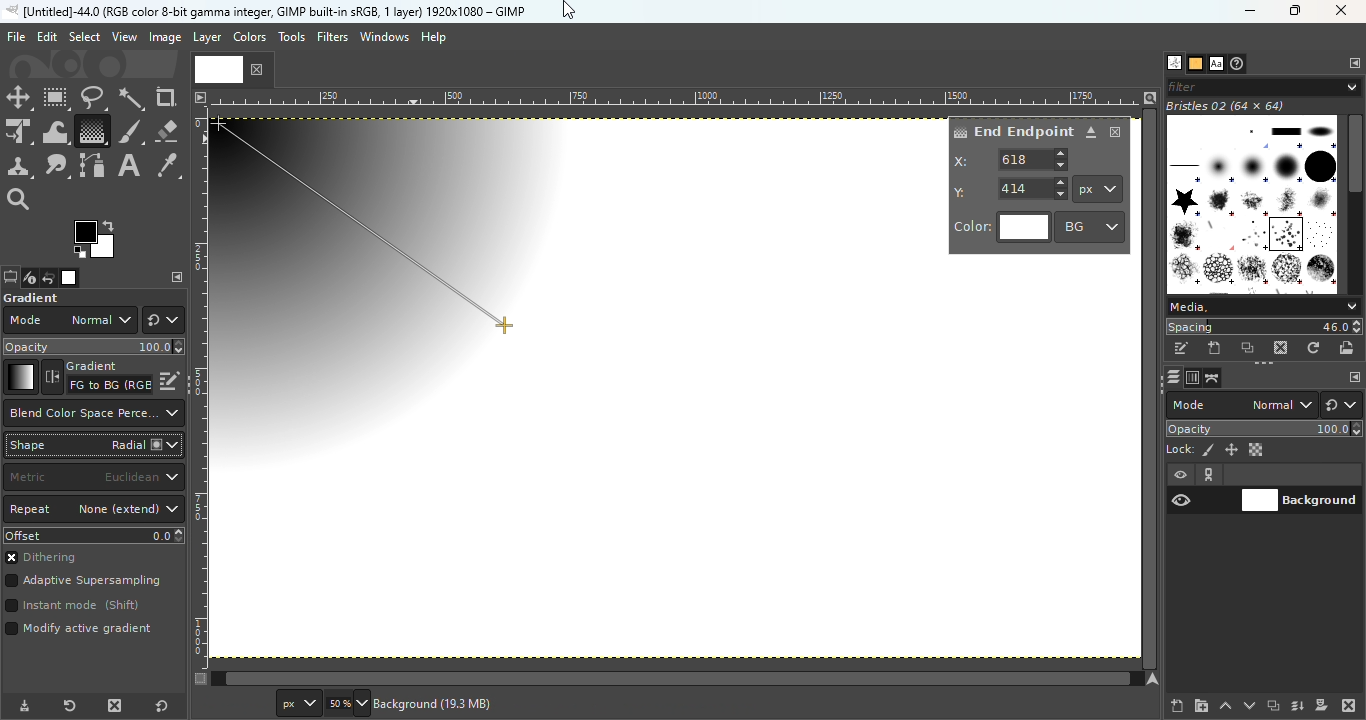  Describe the element at coordinates (92, 413) in the screenshot. I see `Which color space to use when blending RGB gradient segments` at that location.